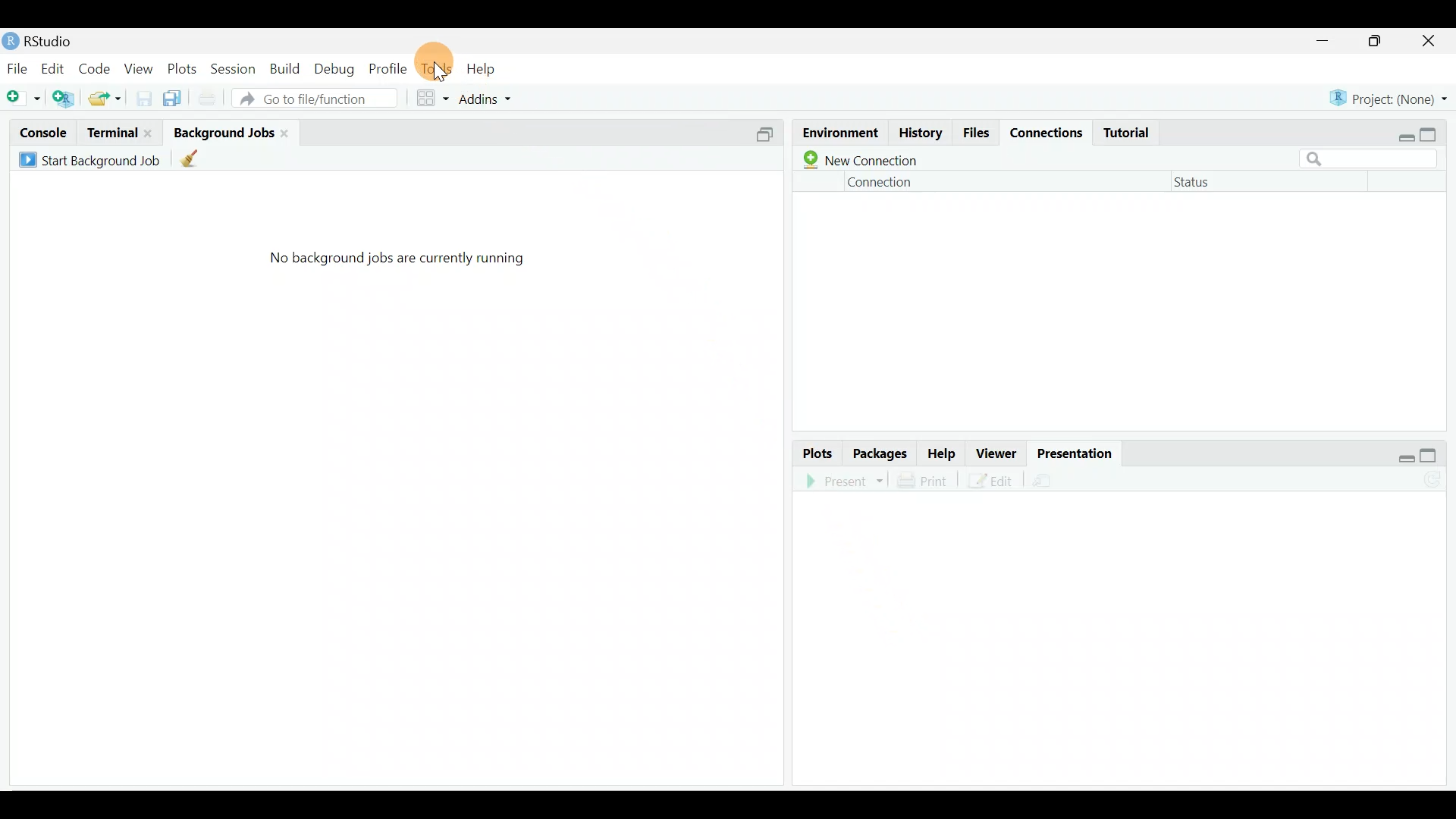 This screenshot has height=819, width=1456. I want to click on Code, so click(96, 70).